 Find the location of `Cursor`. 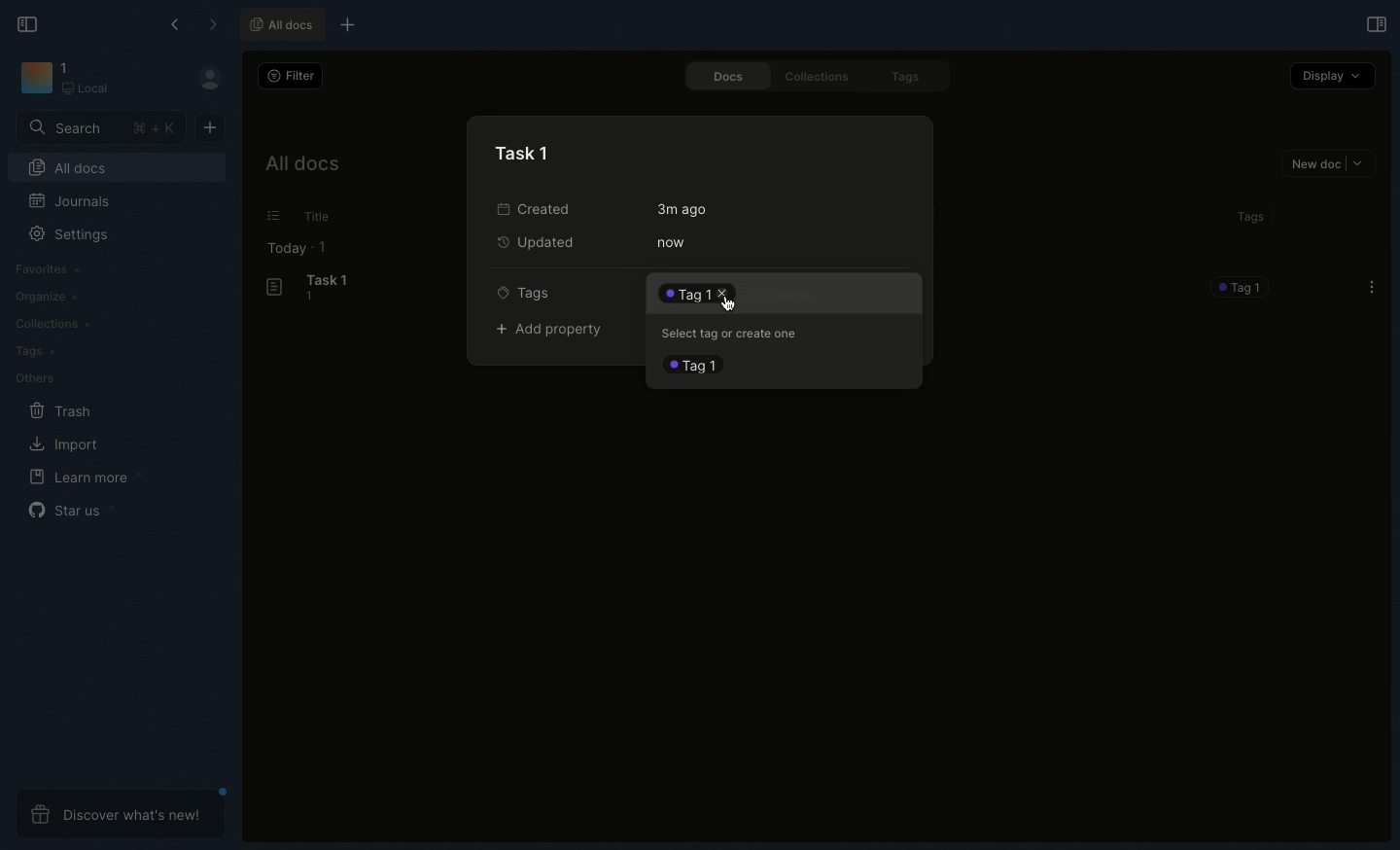

Cursor is located at coordinates (730, 301).